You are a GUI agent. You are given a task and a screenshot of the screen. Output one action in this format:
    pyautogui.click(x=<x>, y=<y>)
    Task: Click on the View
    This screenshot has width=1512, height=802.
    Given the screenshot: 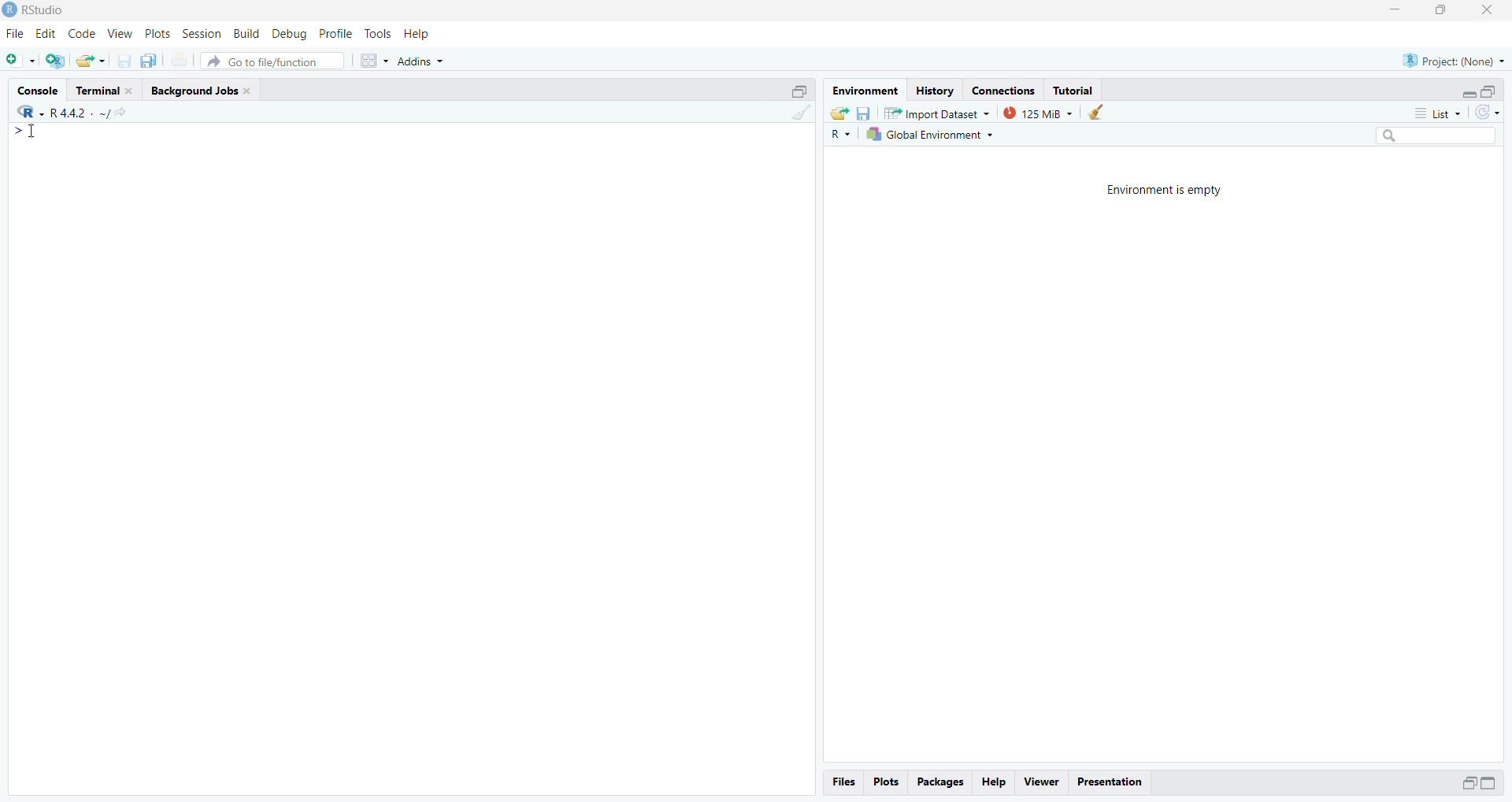 What is the action you would take?
    pyautogui.click(x=120, y=33)
    